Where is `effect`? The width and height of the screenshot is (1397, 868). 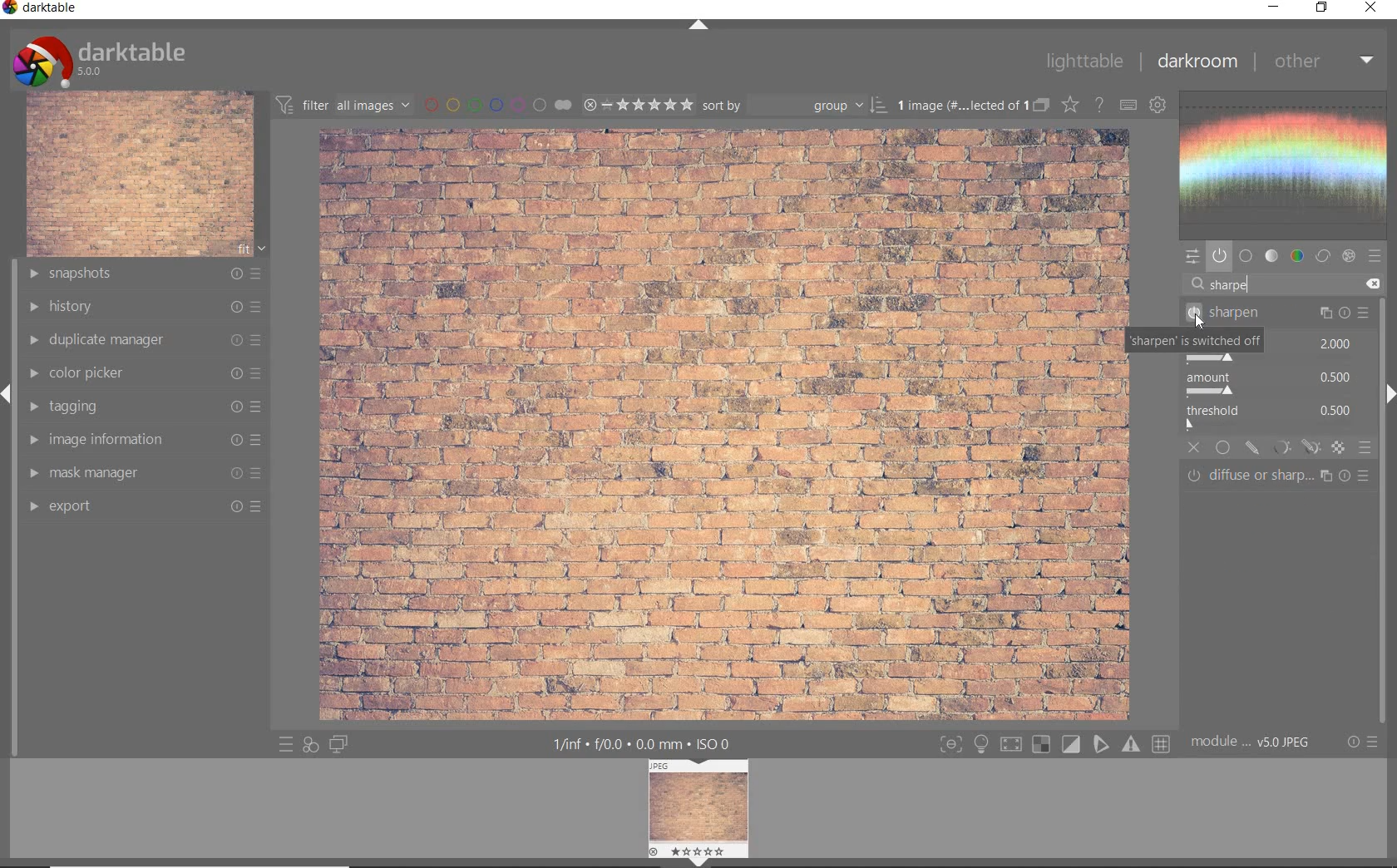 effect is located at coordinates (1349, 255).